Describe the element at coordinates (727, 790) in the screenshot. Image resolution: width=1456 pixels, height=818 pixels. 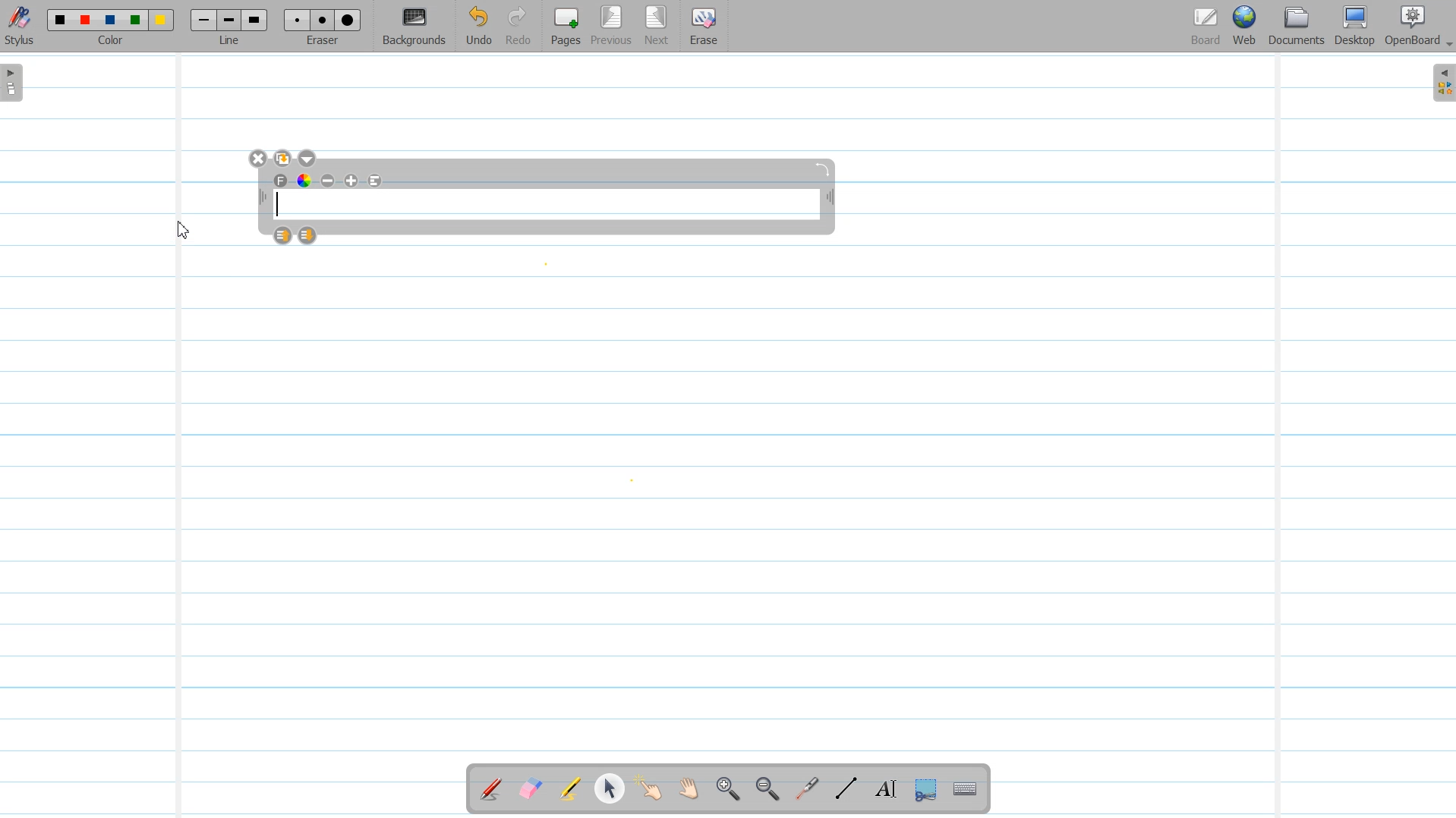
I see `Zoom In` at that location.